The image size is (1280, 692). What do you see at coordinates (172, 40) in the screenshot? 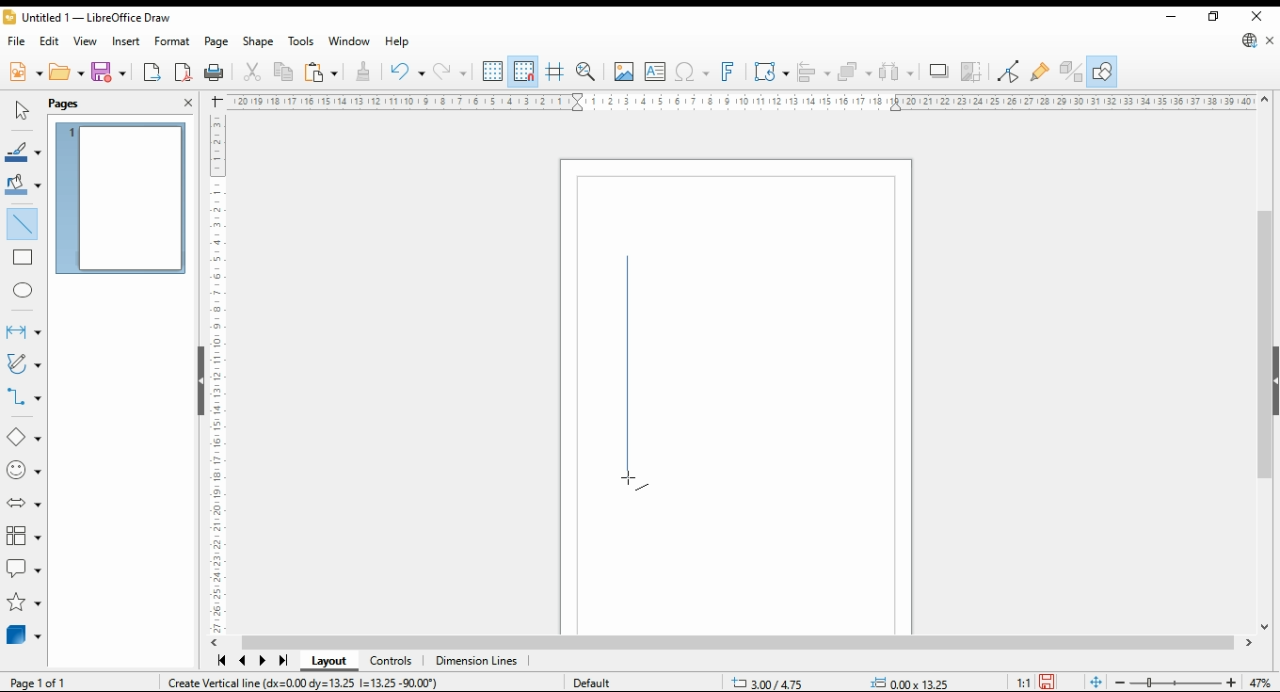
I see `format` at bounding box center [172, 40].